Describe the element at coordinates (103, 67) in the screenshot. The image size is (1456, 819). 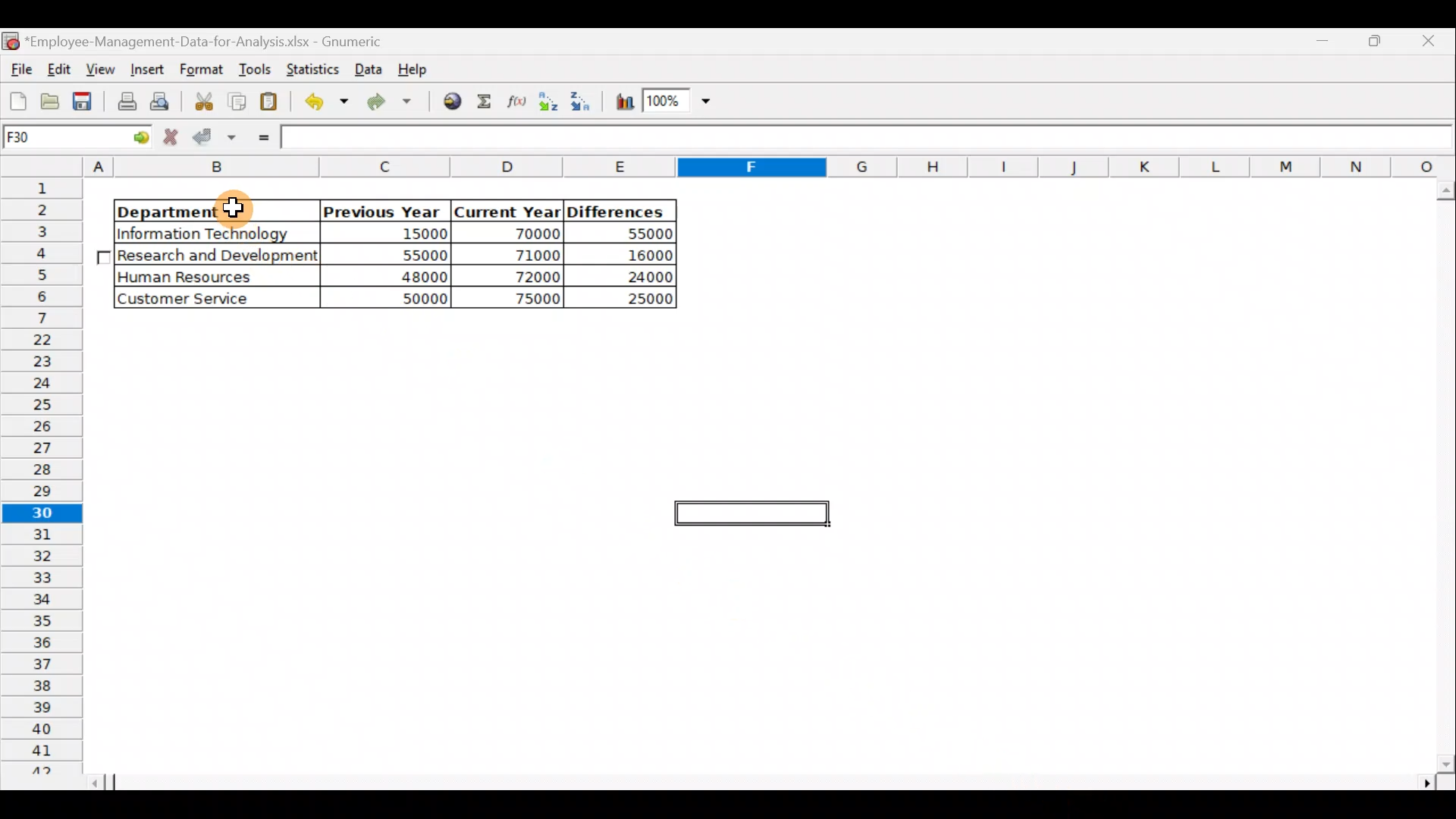
I see `View` at that location.